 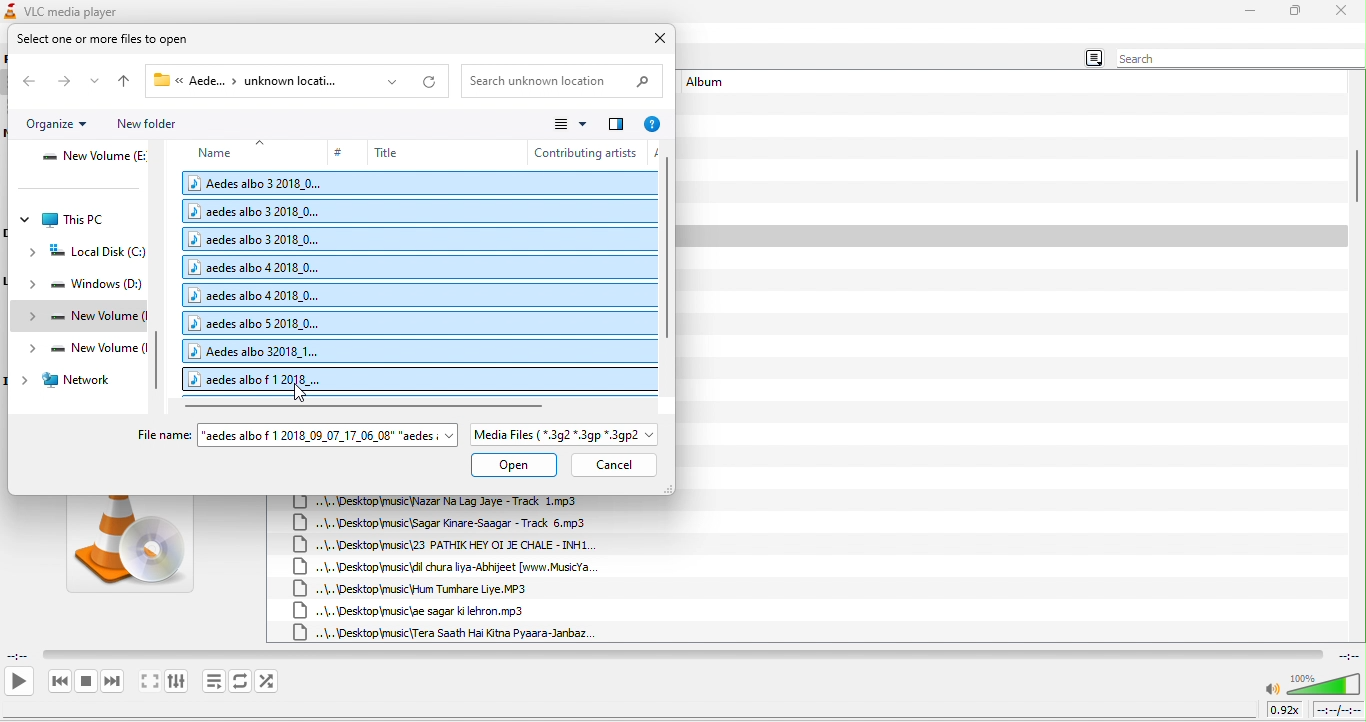 I want to click on network, so click(x=68, y=381).